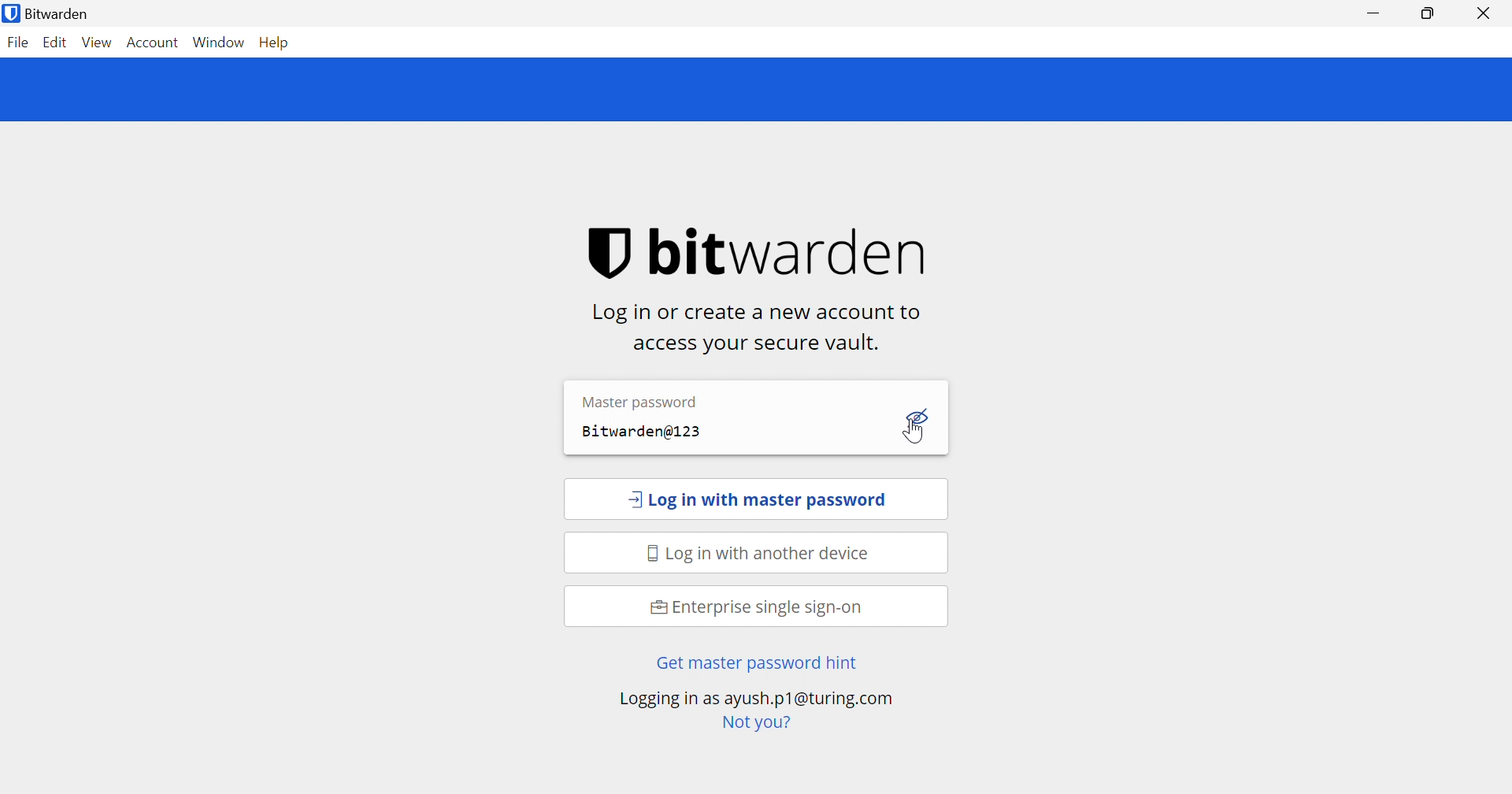 This screenshot has height=794, width=1512. Describe the element at coordinates (220, 42) in the screenshot. I see `Window` at that location.